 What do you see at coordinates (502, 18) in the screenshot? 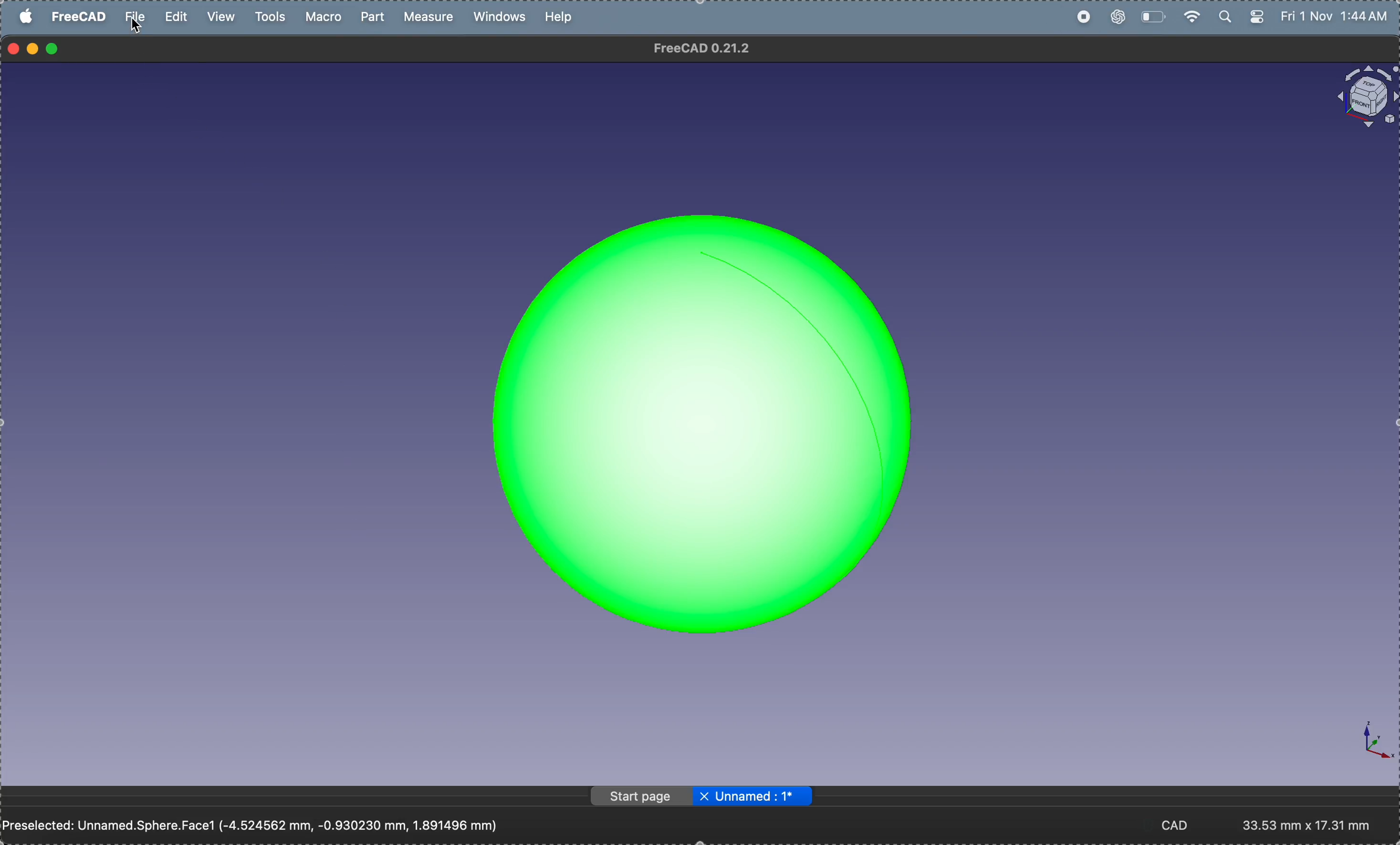
I see `windows` at bounding box center [502, 18].